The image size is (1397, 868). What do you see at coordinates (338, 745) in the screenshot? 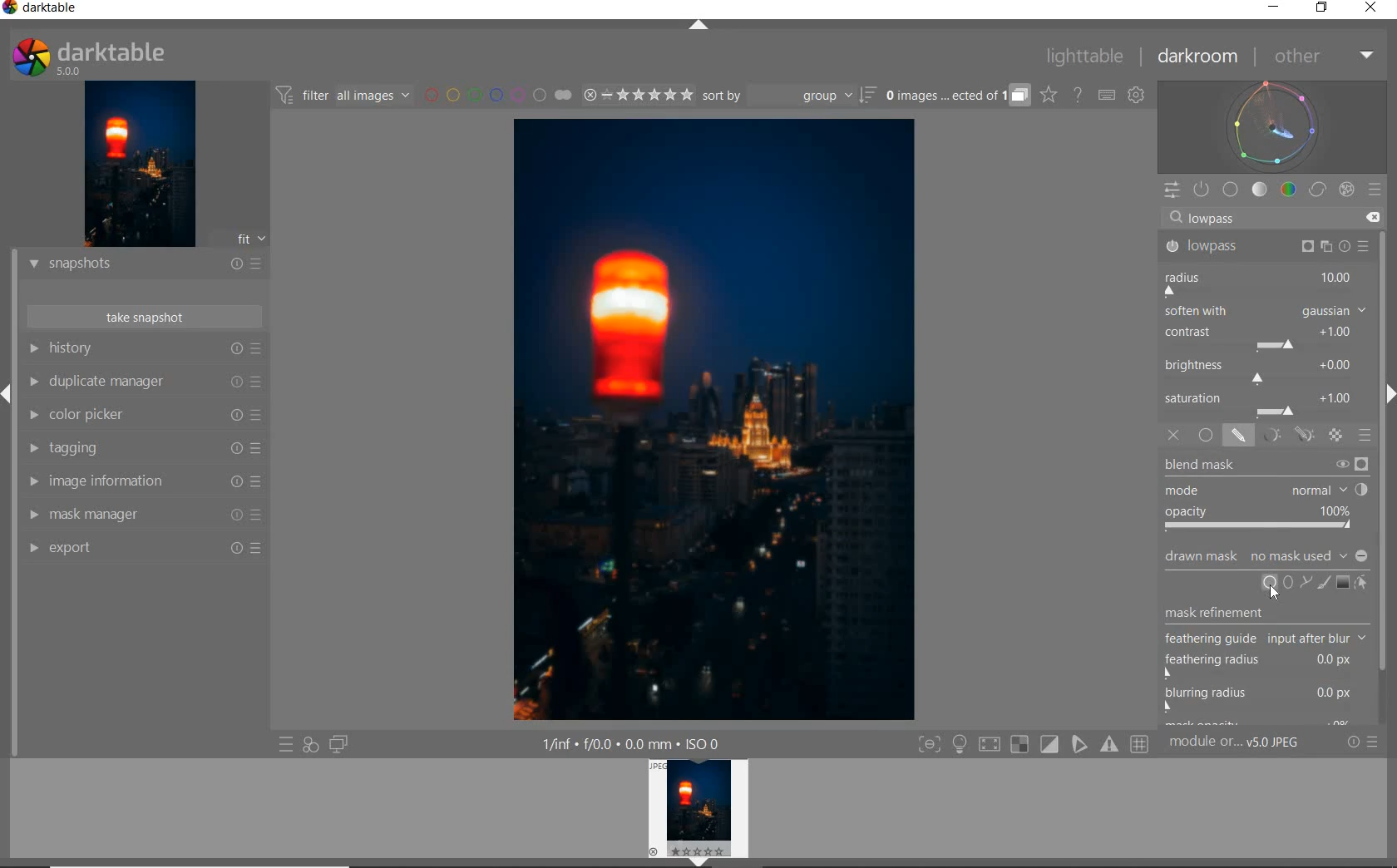
I see `DISPLAY A SECOND DARKROOM IMAGE WINDOW` at bounding box center [338, 745].